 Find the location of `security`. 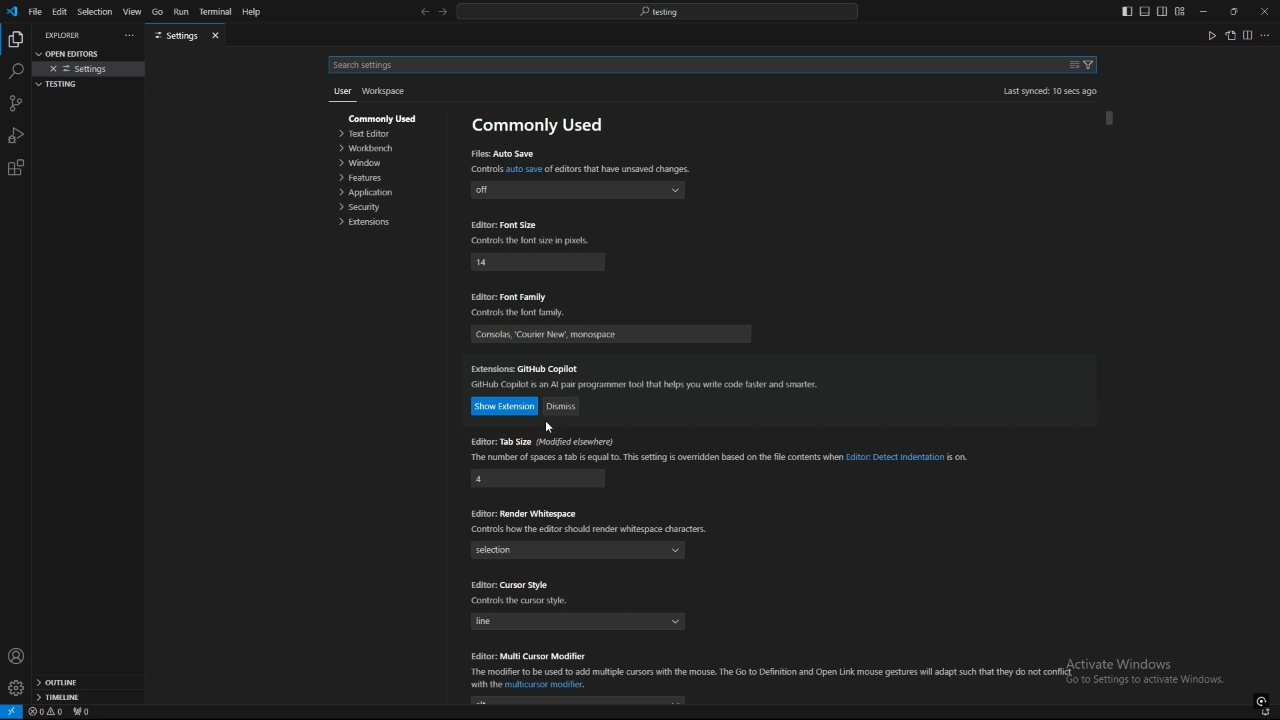

security is located at coordinates (386, 207).